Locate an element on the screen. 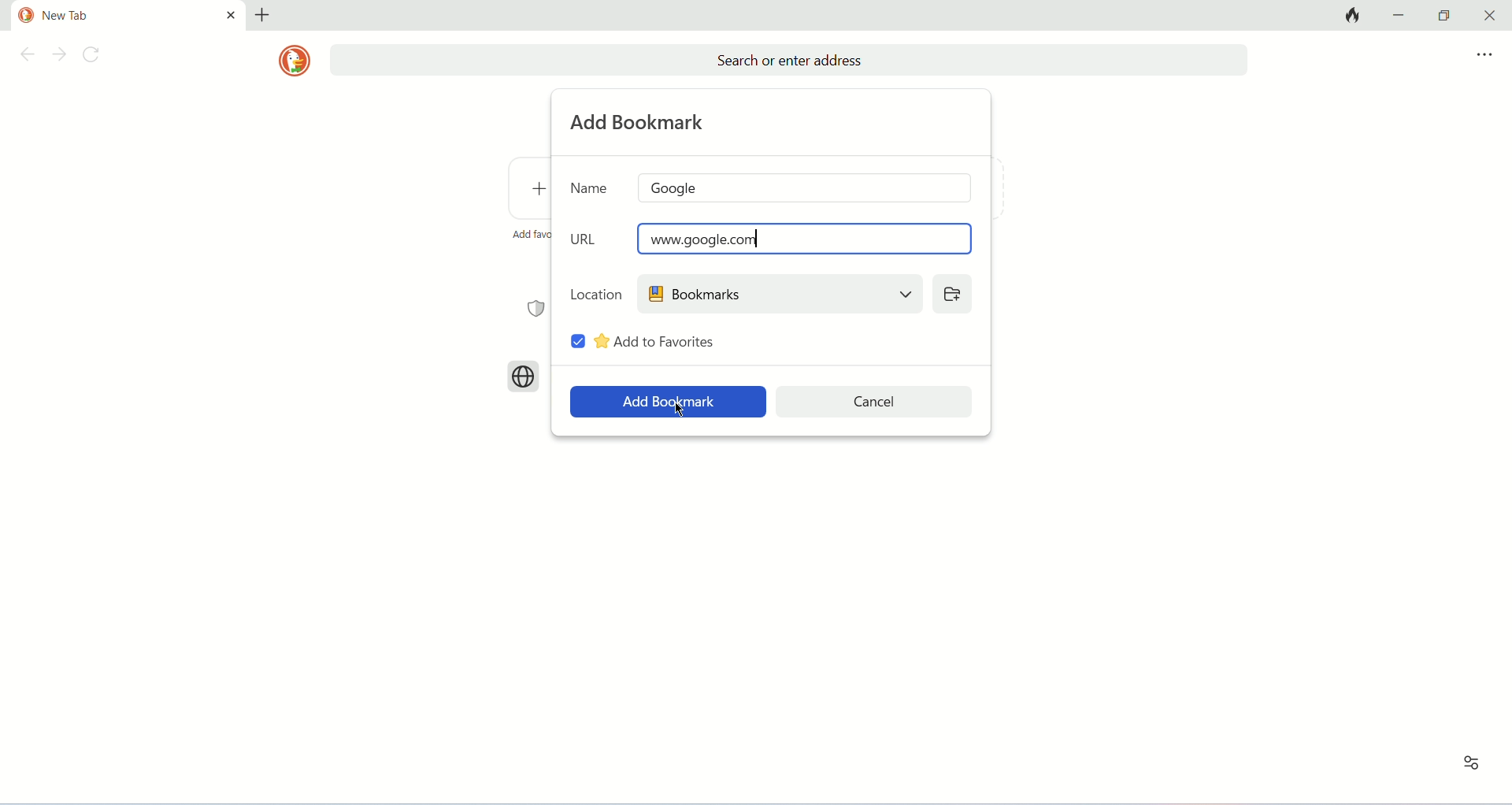  URL is located at coordinates (587, 239).